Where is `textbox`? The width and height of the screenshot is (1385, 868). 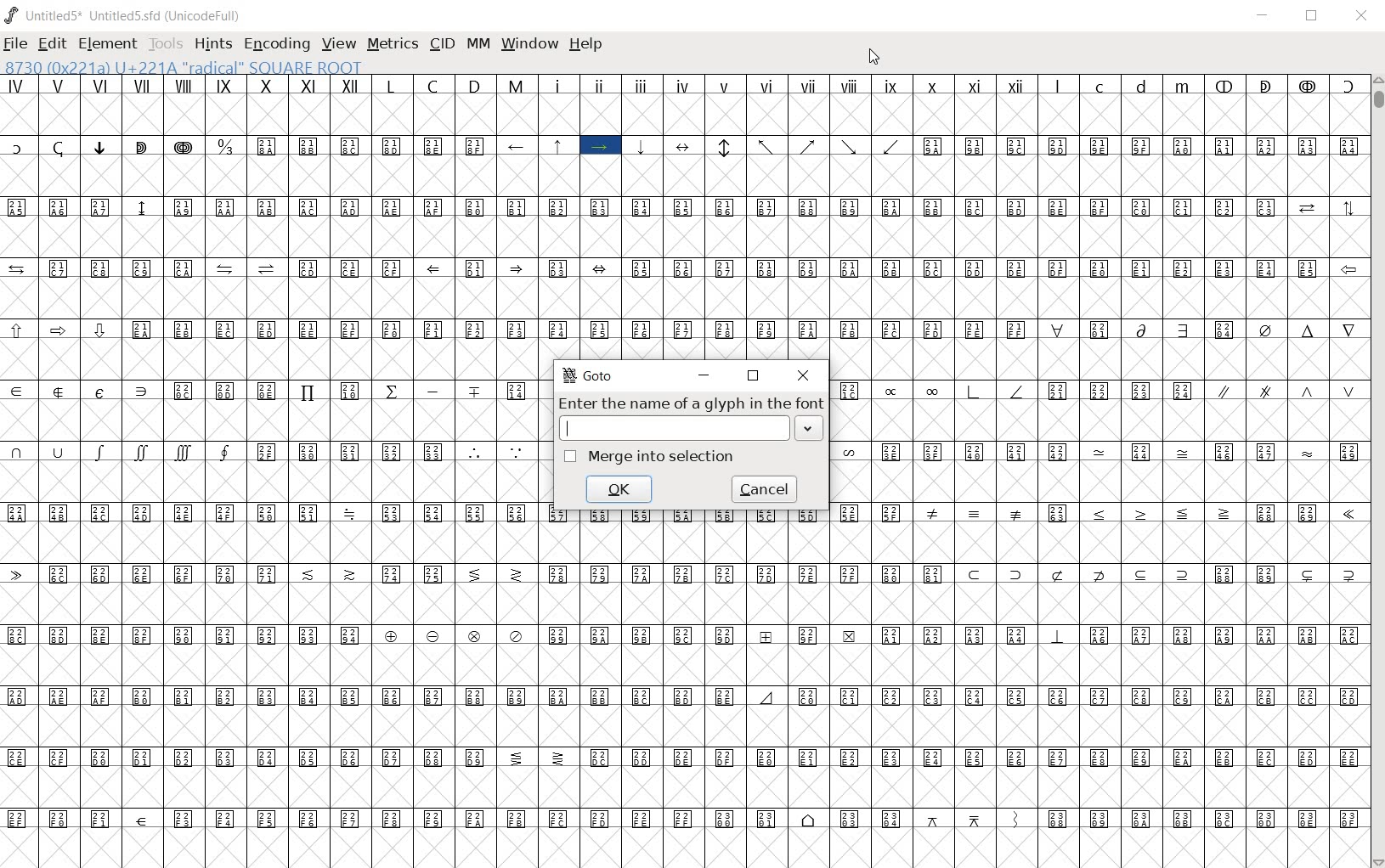
textbox is located at coordinates (694, 429).